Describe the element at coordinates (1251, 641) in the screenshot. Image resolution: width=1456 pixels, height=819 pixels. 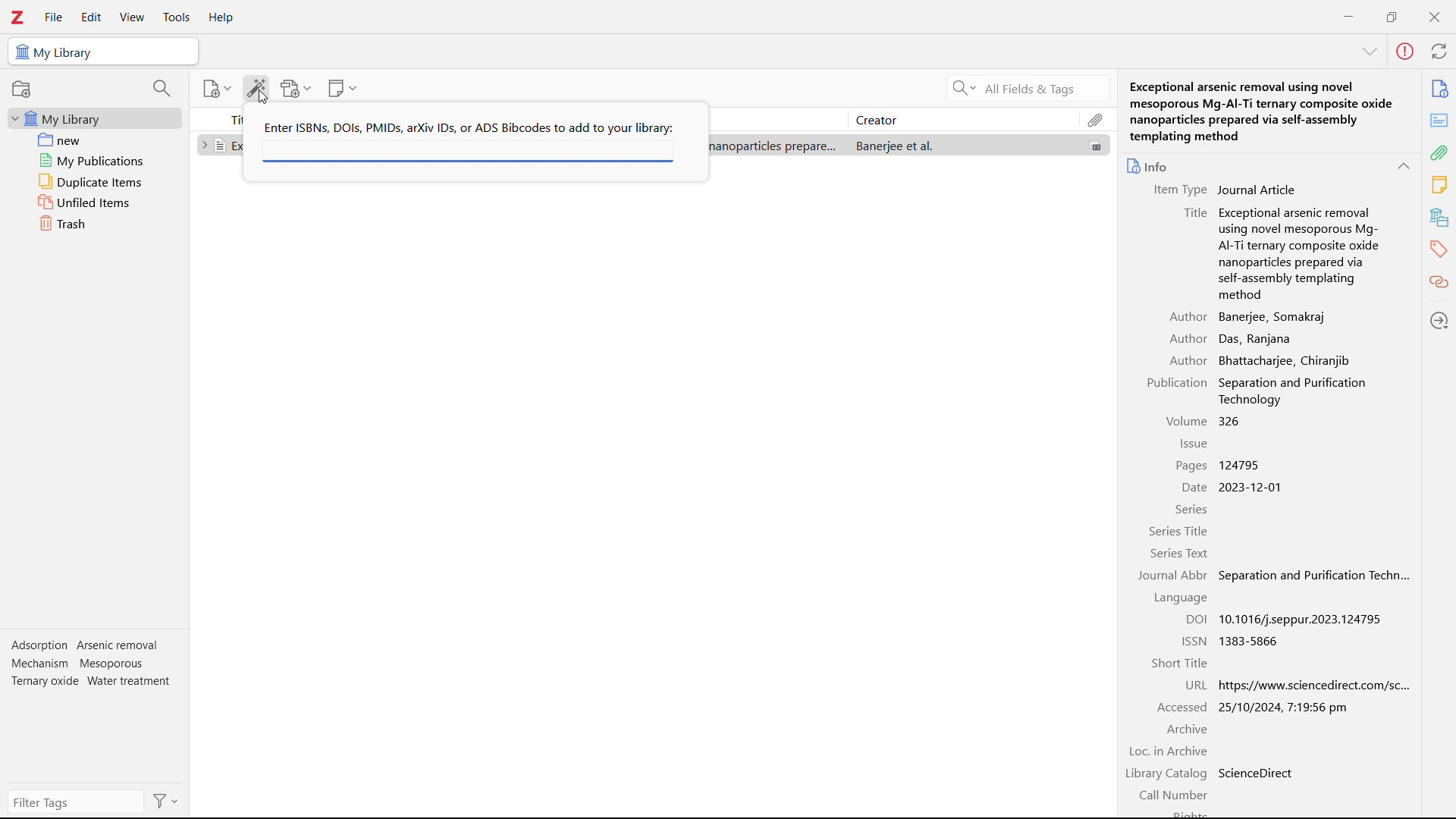
I see `1383-5866` at that location.